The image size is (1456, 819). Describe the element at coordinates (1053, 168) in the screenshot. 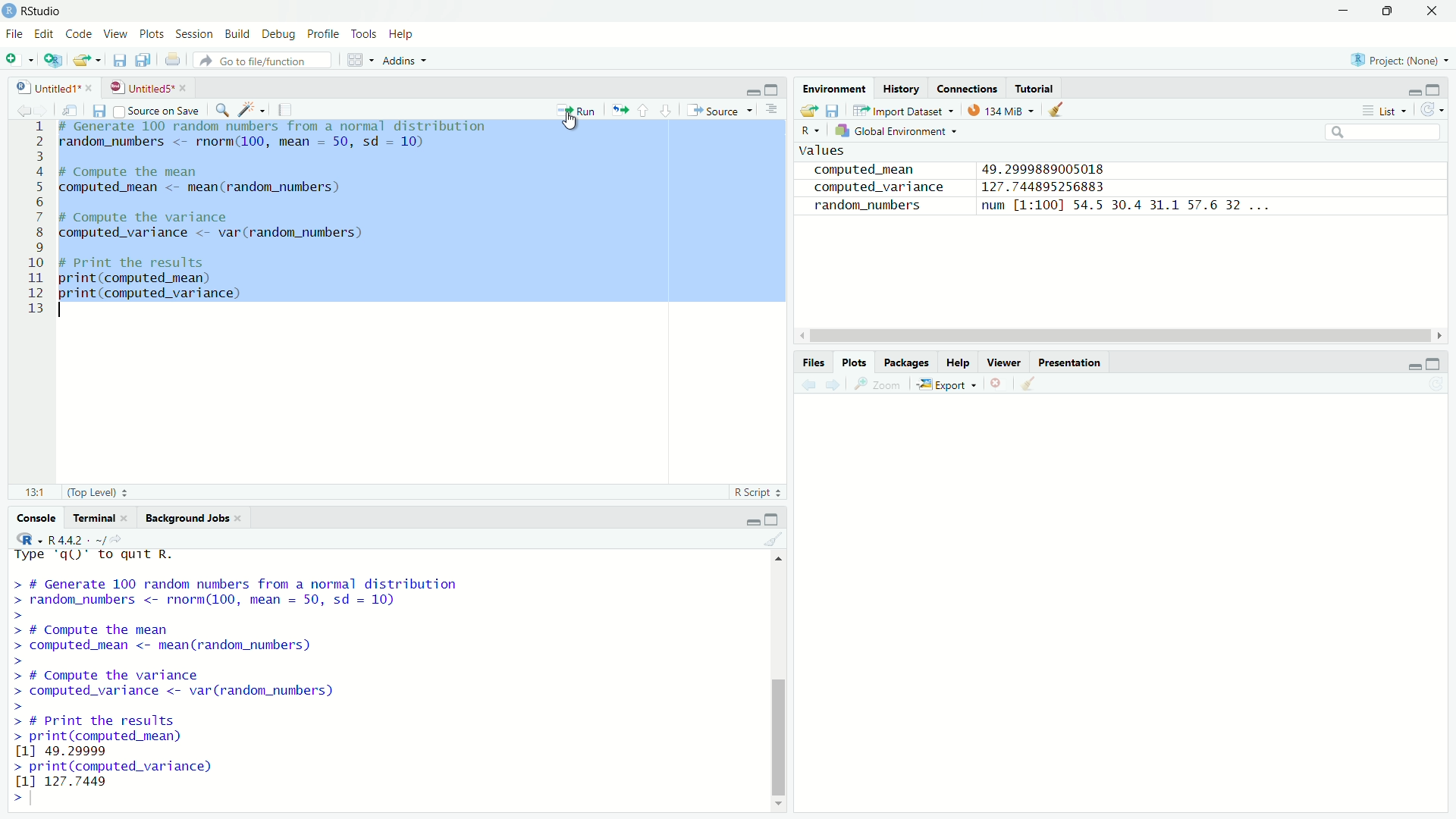

I see `49.2999889005018` at that location.